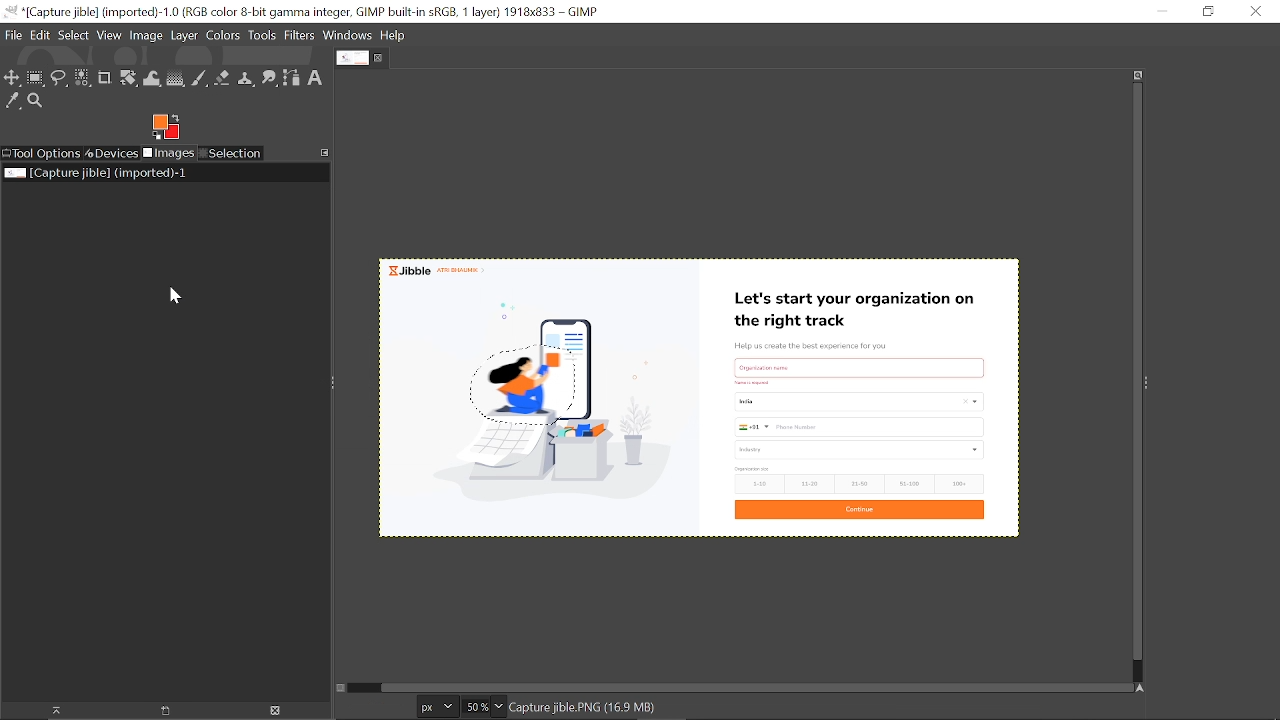 This screenshot has height=720, width=1280. I want to click on Sidebar menu, so click(1151, 381).